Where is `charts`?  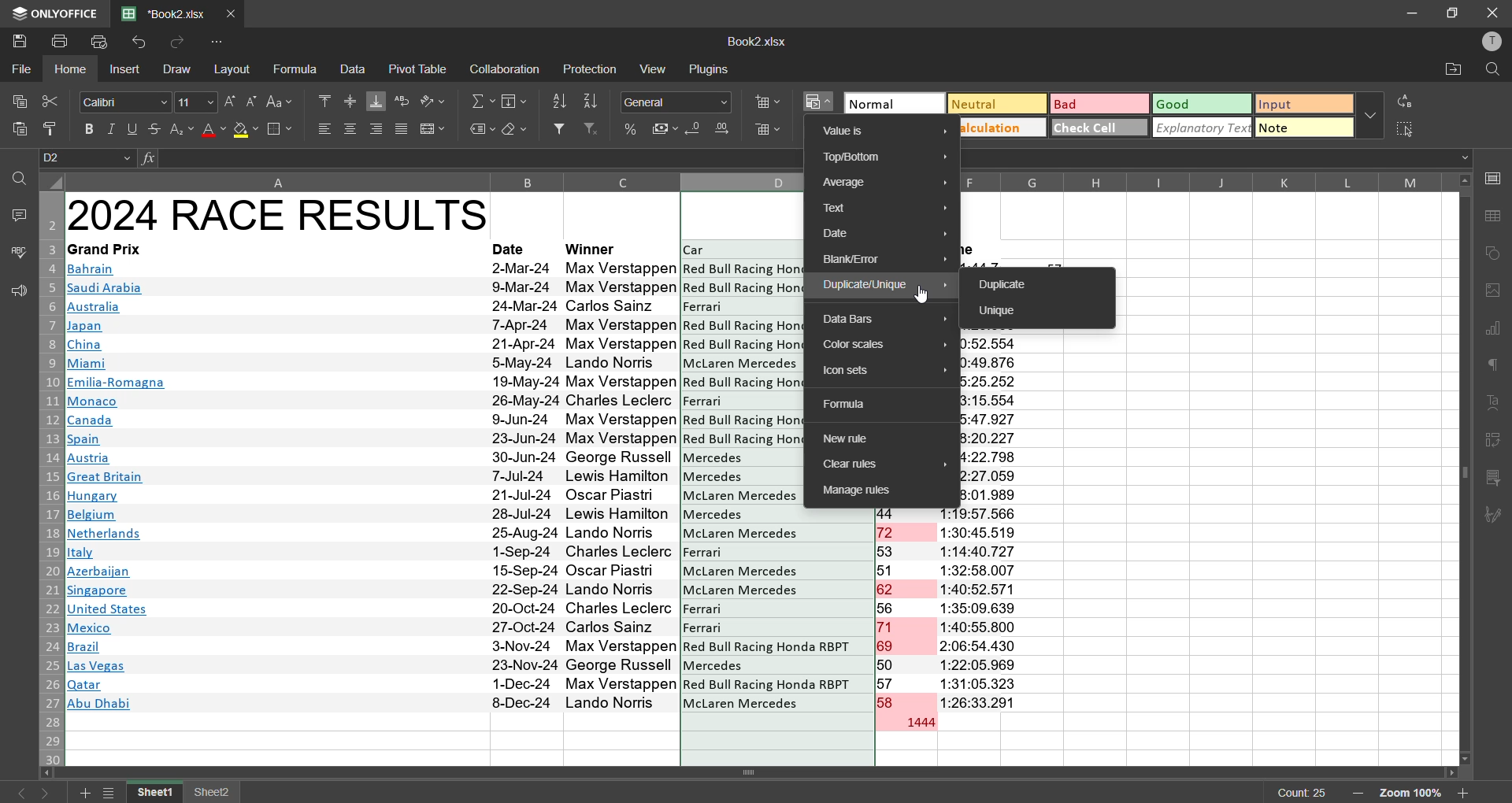 charts is located at coordinates (1494, 330).